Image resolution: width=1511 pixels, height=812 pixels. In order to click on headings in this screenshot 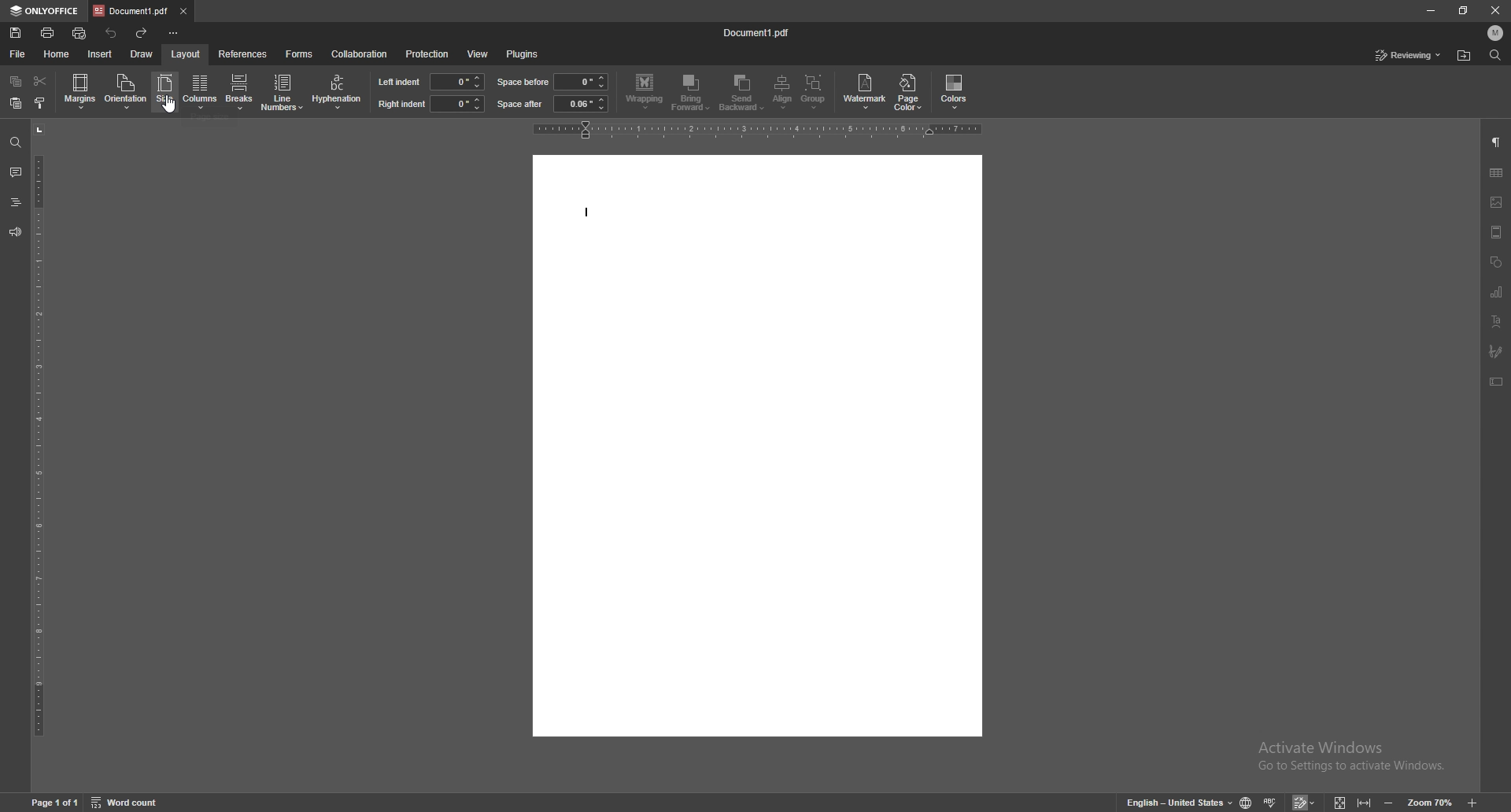, I will do `click(15, 202)`.